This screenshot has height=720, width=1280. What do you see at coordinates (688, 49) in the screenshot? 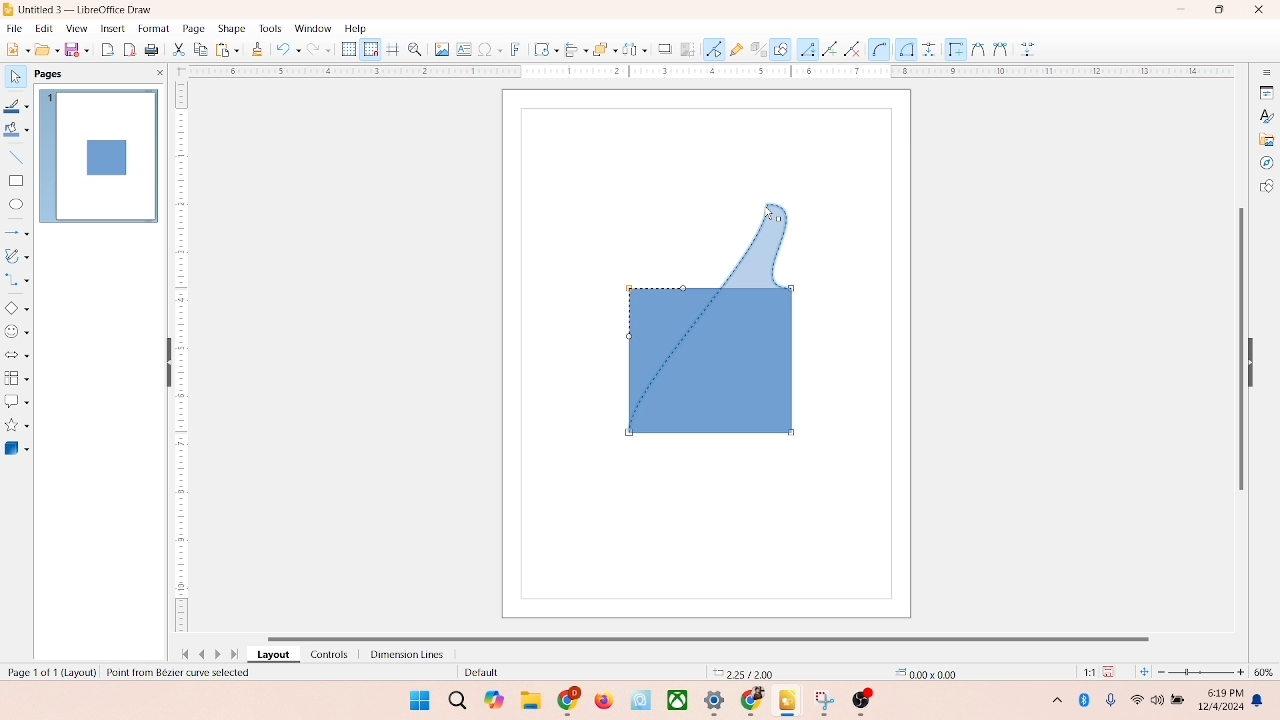
I see `crop image` at bounding box center [688, 49].